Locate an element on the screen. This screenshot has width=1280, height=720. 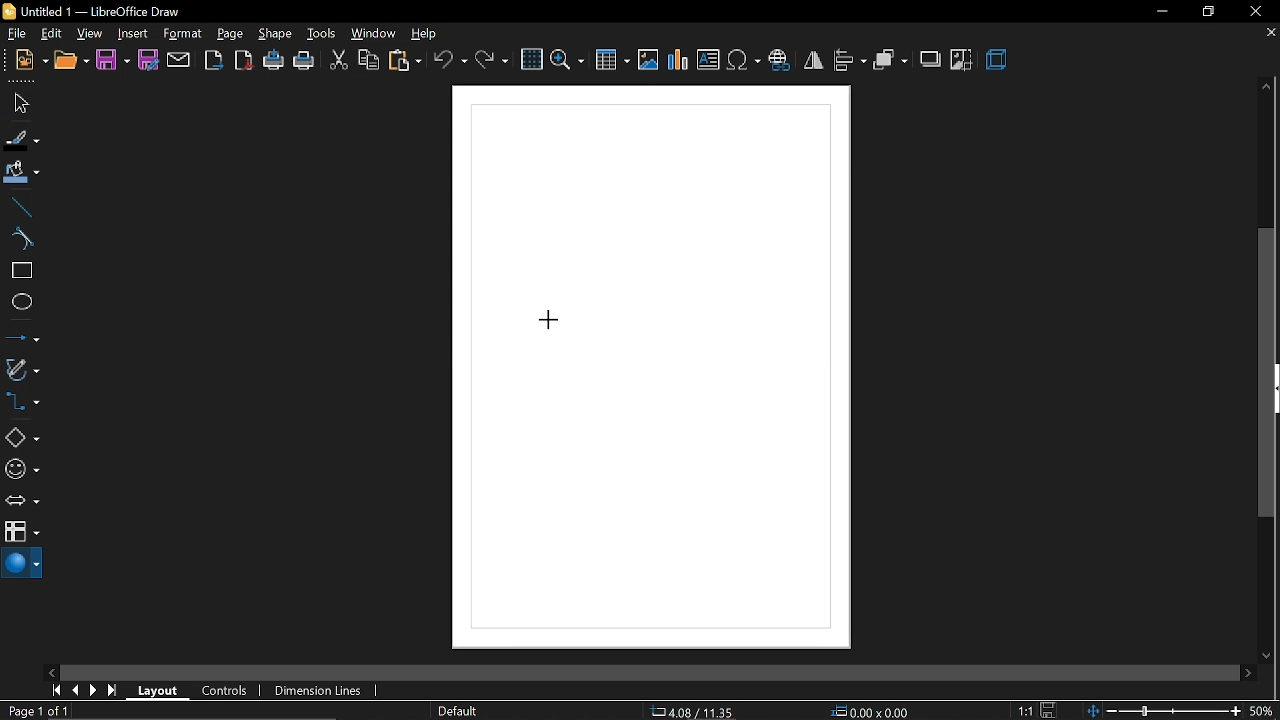
rectangle is located at coordinates (19, 270).